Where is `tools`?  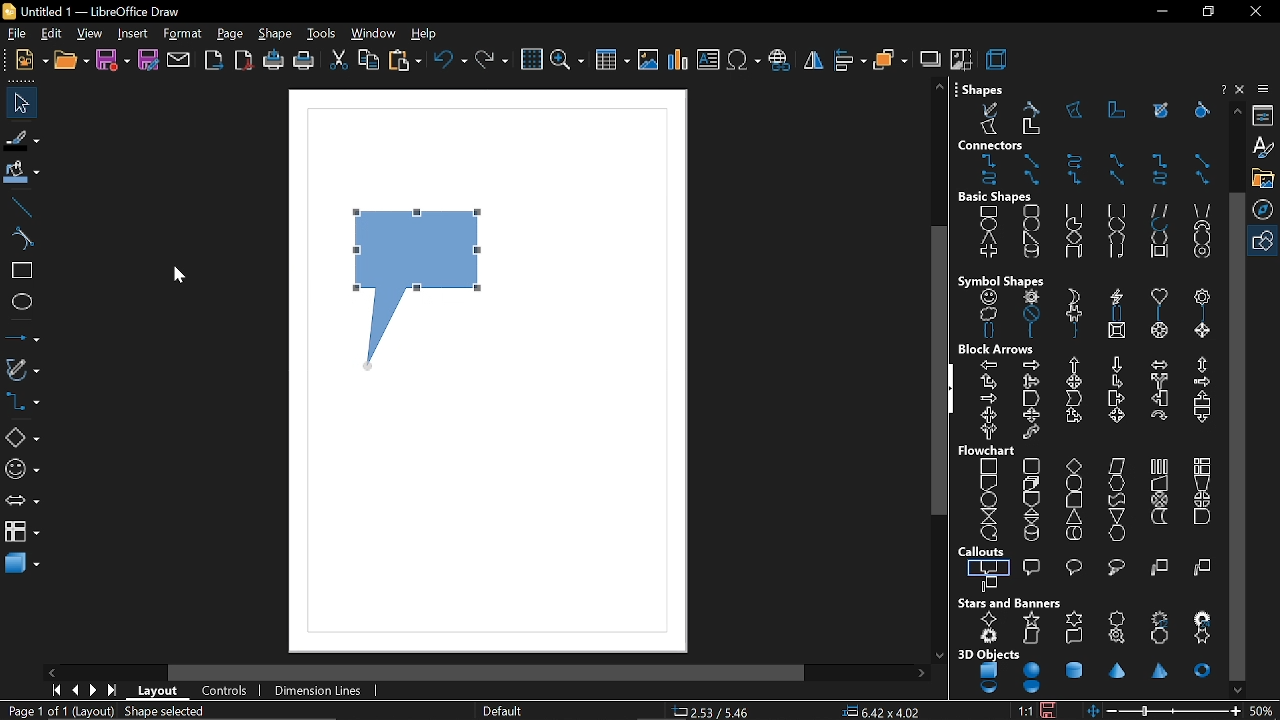 tools is located at coordinates (324, 35).